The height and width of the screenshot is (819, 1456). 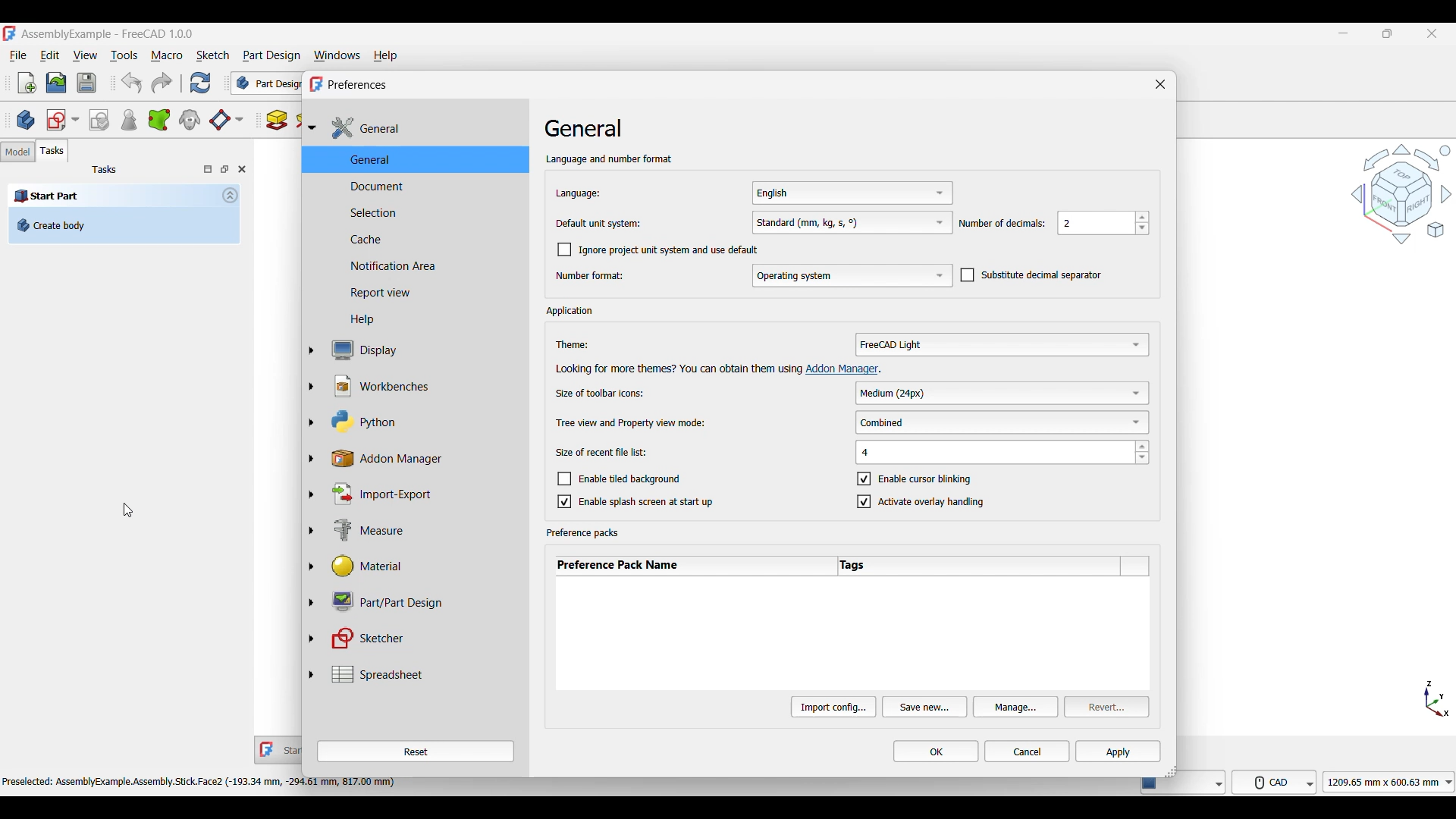 I want to click on Open, so click(x=57, y=83).